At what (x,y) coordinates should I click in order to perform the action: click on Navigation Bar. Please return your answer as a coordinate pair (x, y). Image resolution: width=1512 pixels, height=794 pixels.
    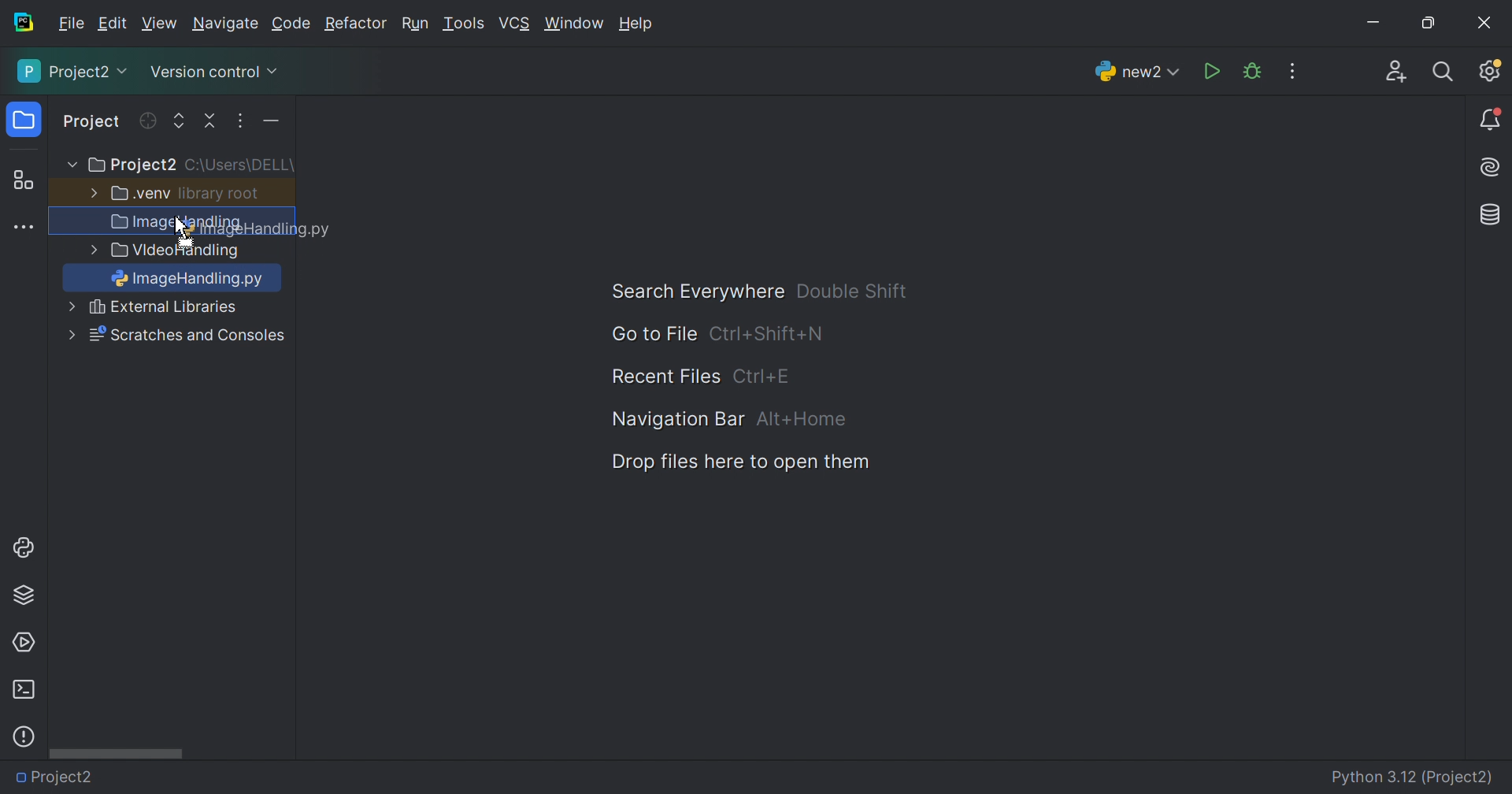
    Looking at the image, I should click on (673, 418).